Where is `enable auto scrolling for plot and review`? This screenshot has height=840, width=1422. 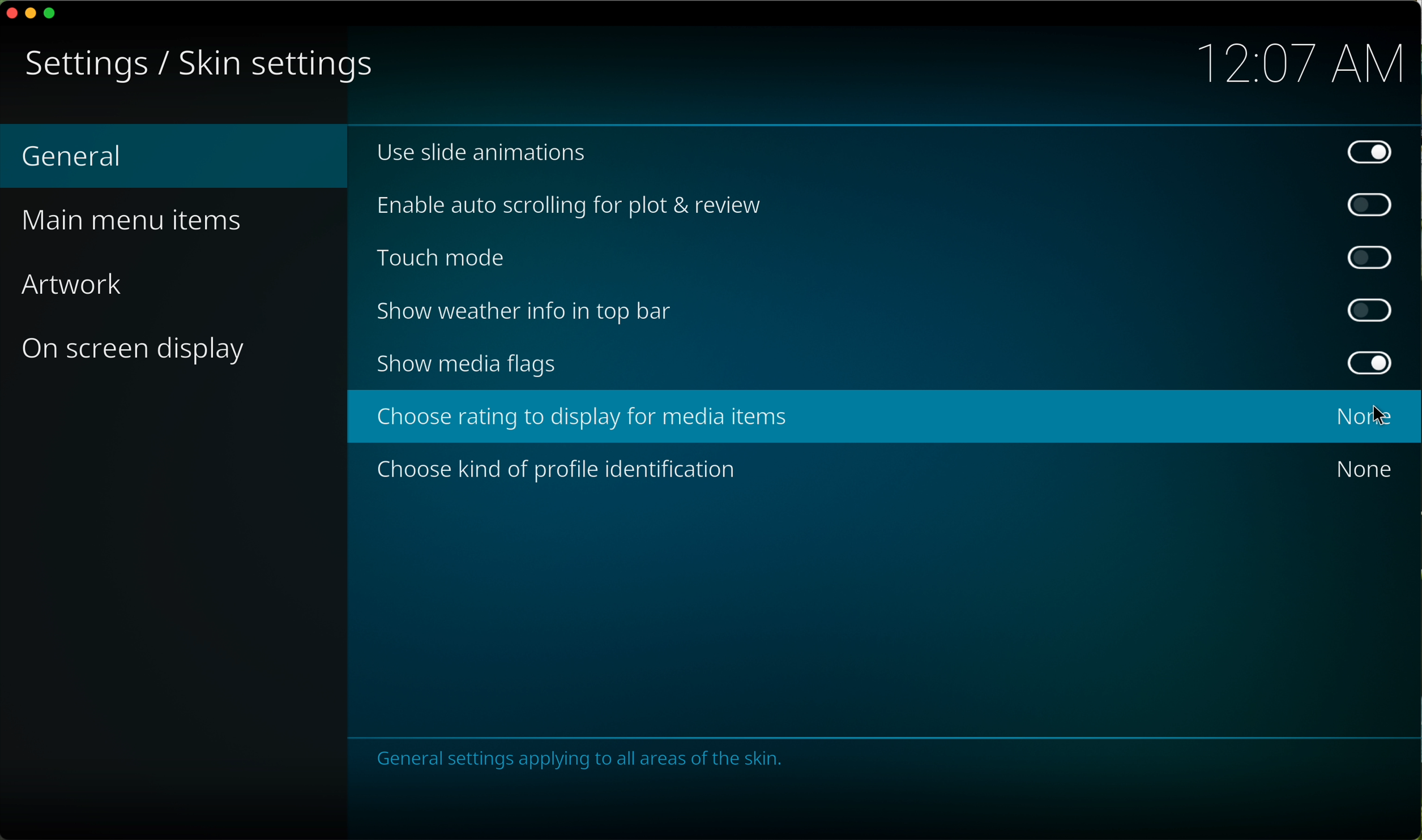 enable auto scrolling for plot and review is located at coordinates (882, 206).